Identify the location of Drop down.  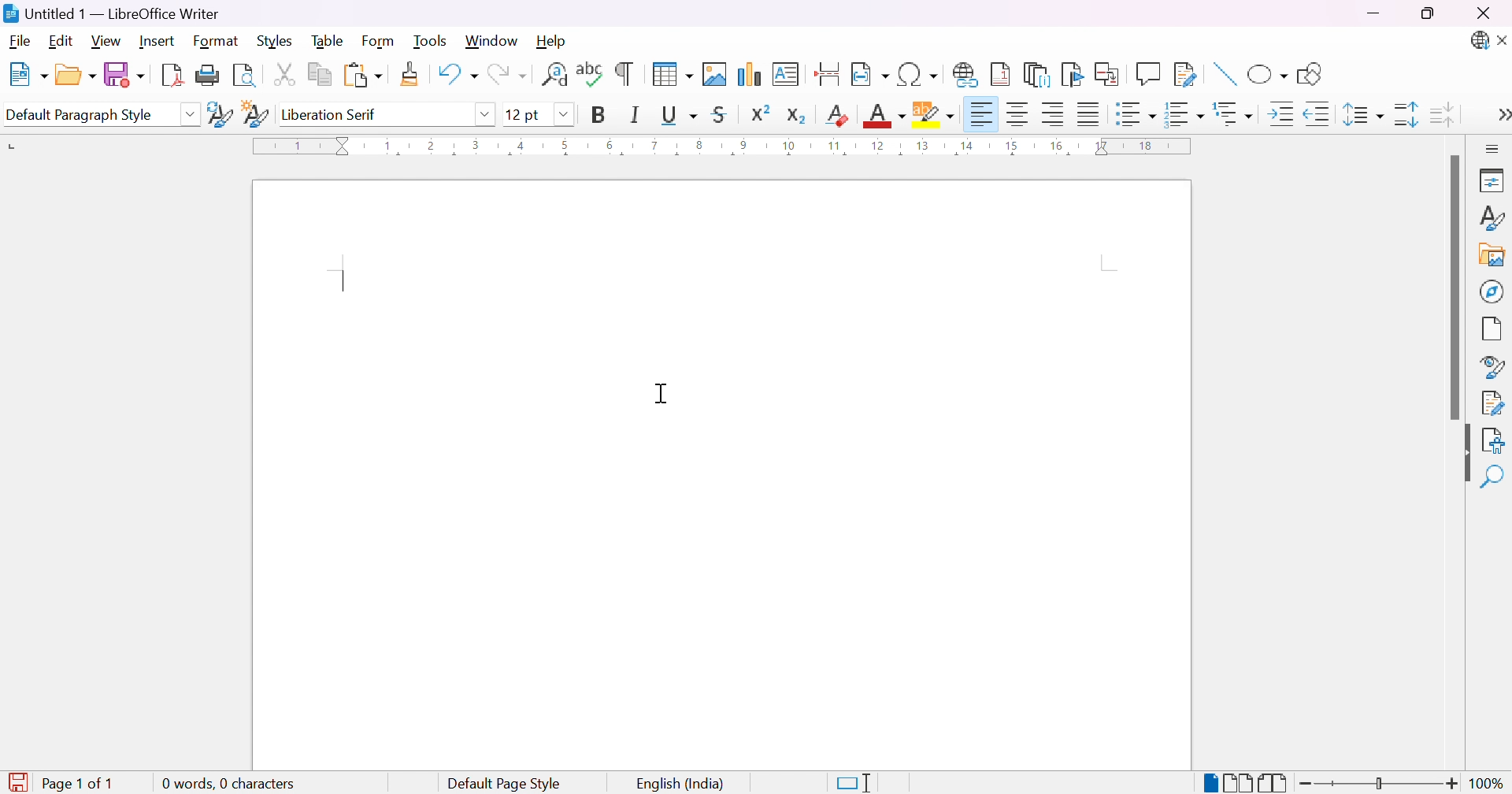
(190, 114).